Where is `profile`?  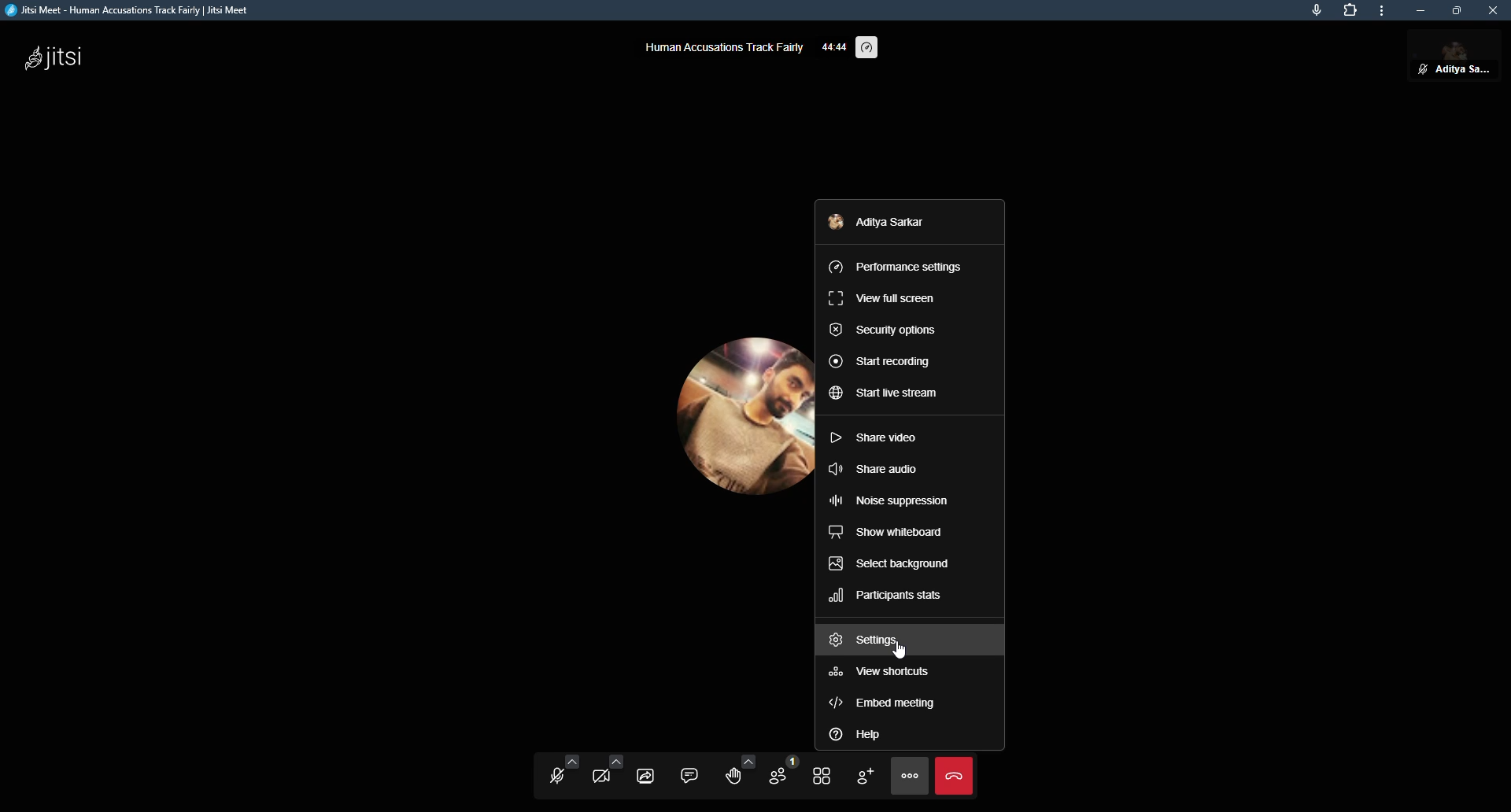
profile is located at coordinates (881, 223).